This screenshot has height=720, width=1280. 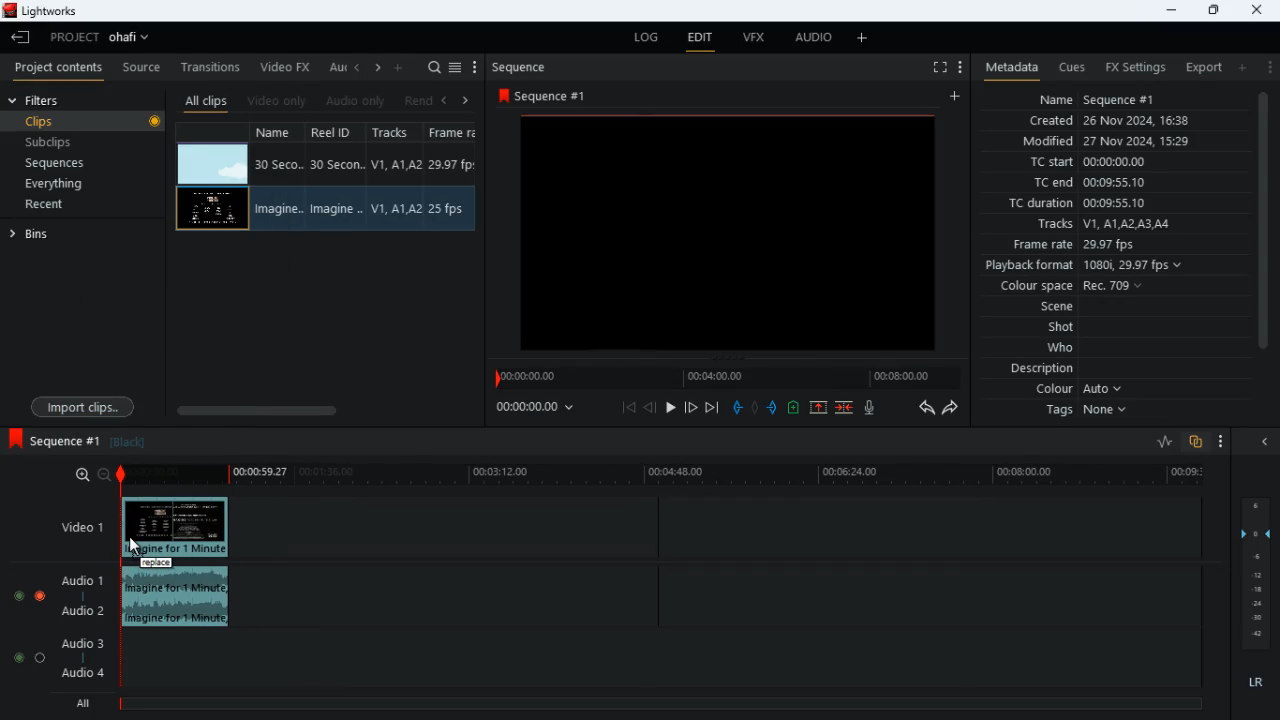 I want to click on black, so click(x=133, y=442).